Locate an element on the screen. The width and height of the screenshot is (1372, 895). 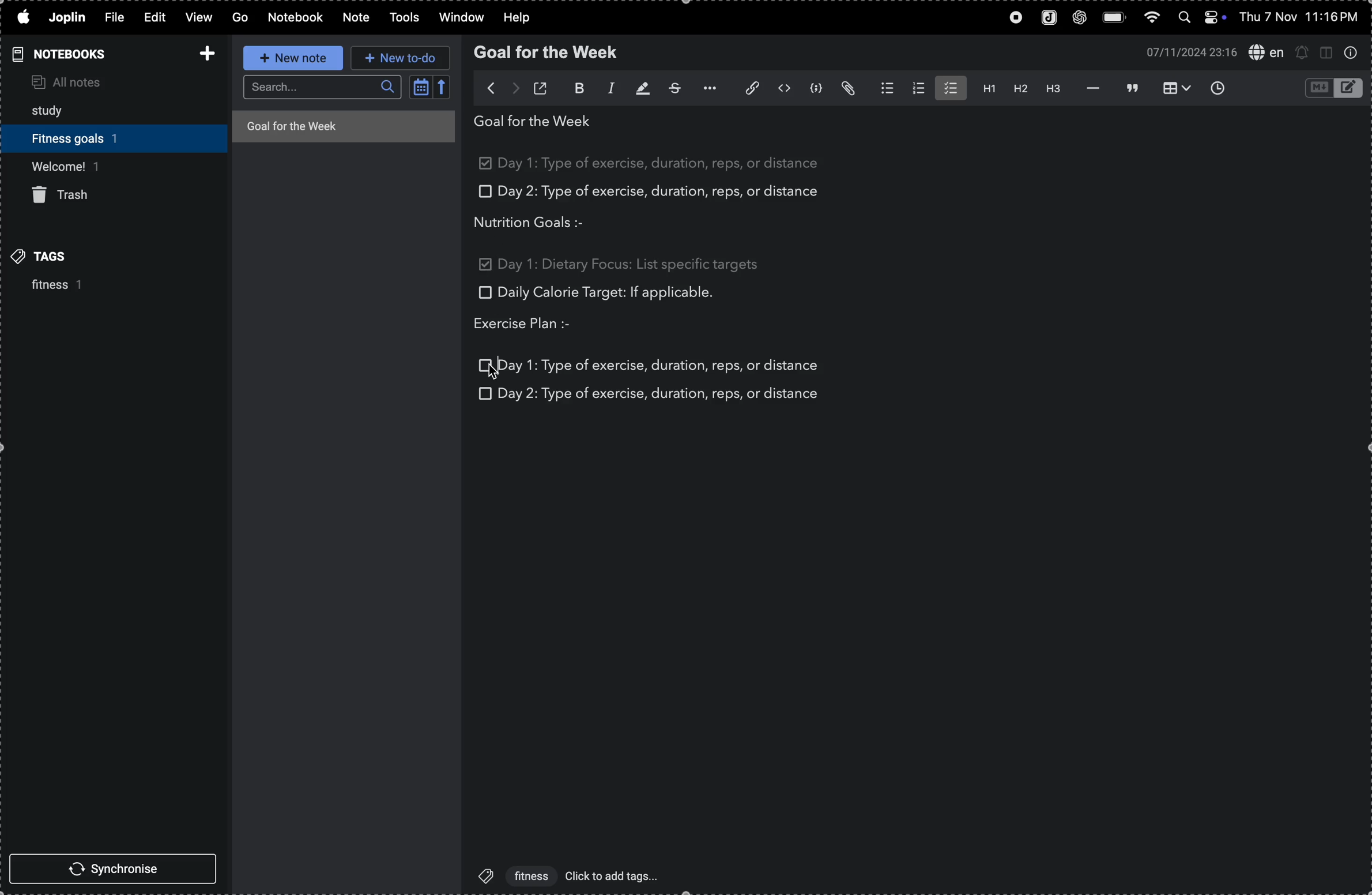
study is located at coordinates (56, 108).